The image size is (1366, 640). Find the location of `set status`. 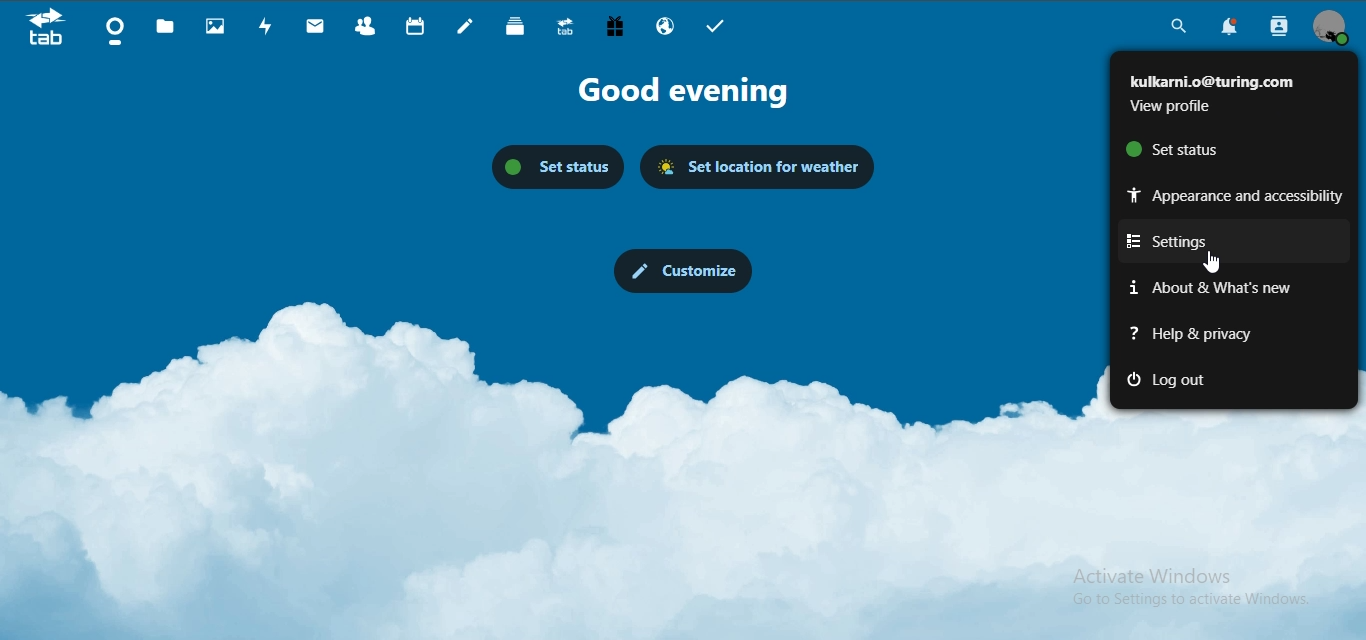

set status is located at coordinates (555, 168).